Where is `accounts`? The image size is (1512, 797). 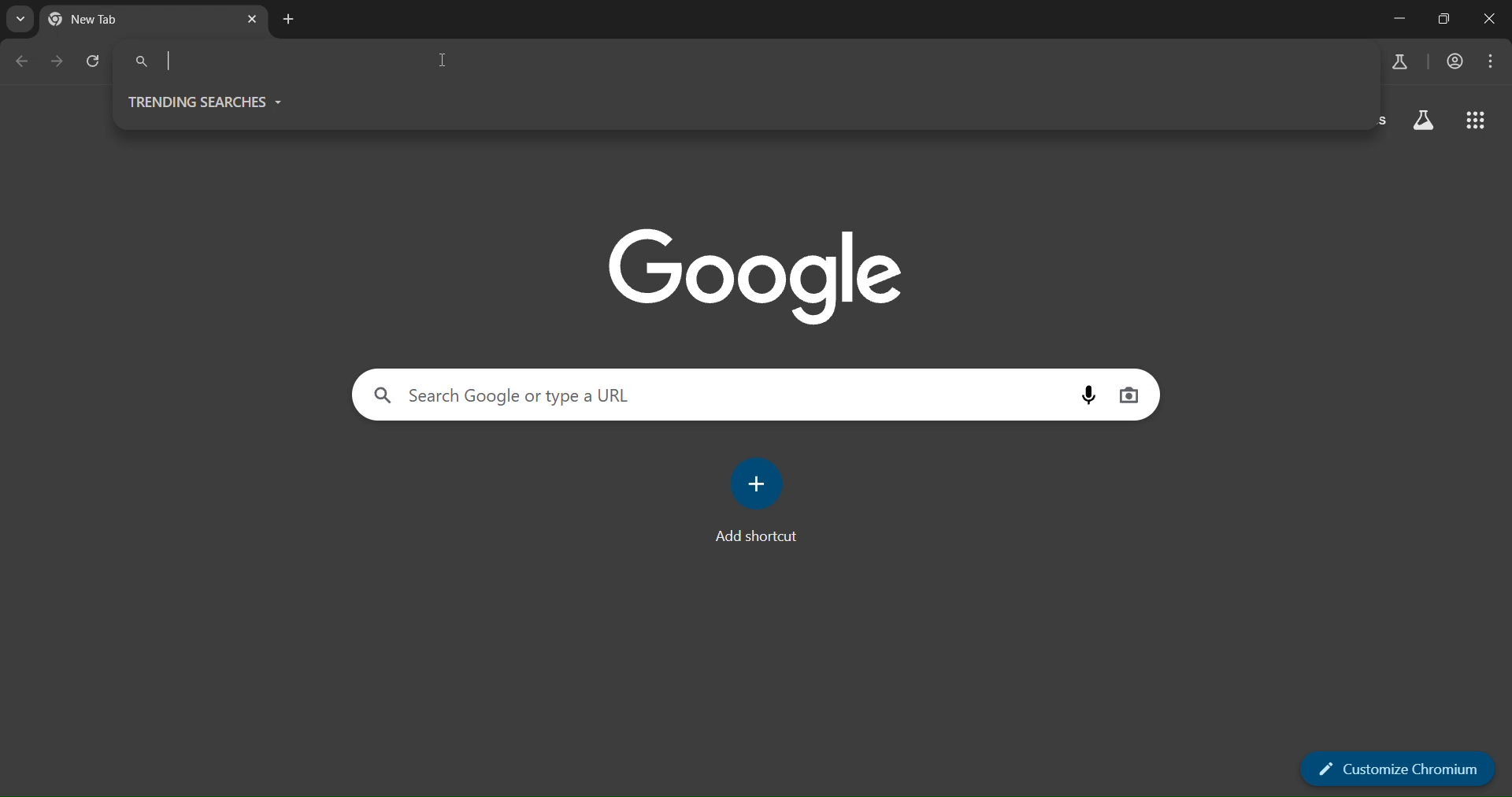
accounts is located at coordinates (1457, 61).